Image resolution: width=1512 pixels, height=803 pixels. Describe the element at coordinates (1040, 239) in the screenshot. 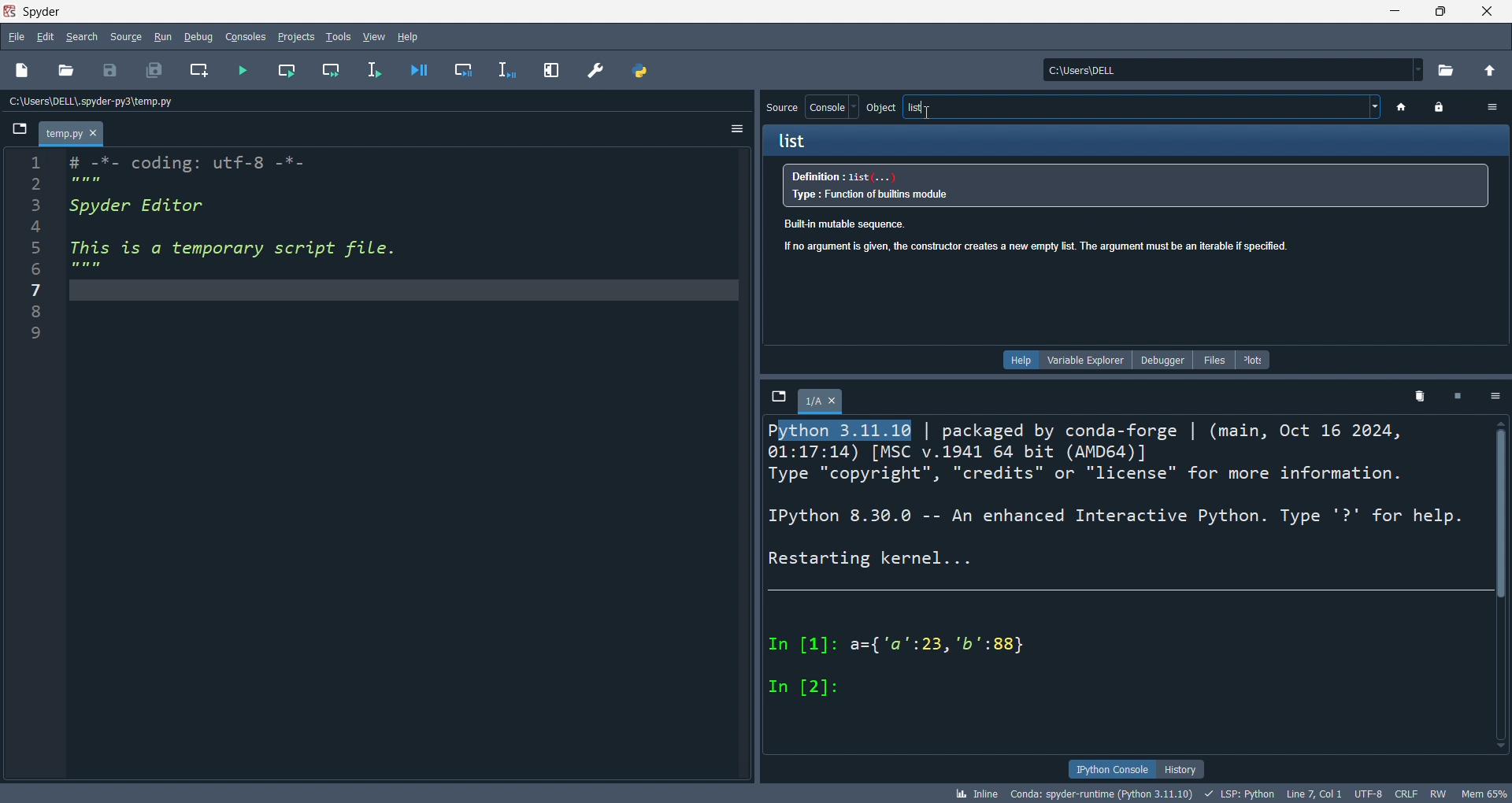

I see `Built-in mutable sequence.no argument is given, the constructor creates a new empty list. The argument must be an iterable if specified.` at that location.